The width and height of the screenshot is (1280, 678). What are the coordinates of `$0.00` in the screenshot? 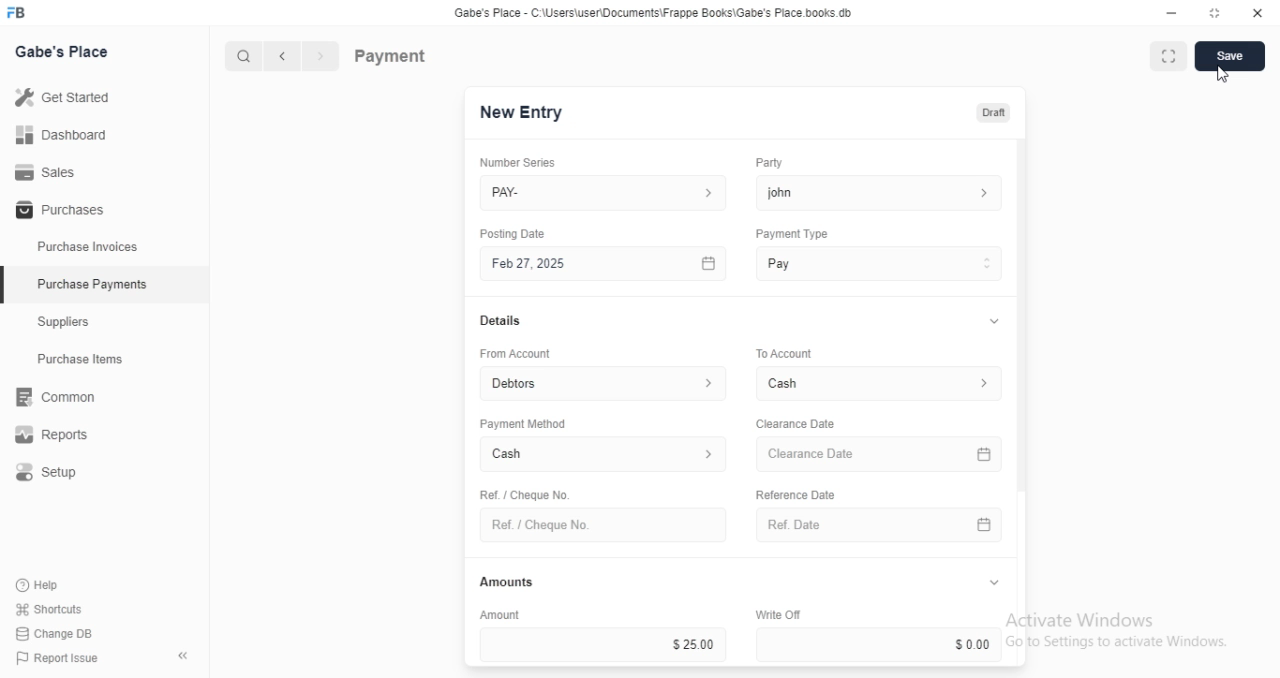 It's located at (882, 644).